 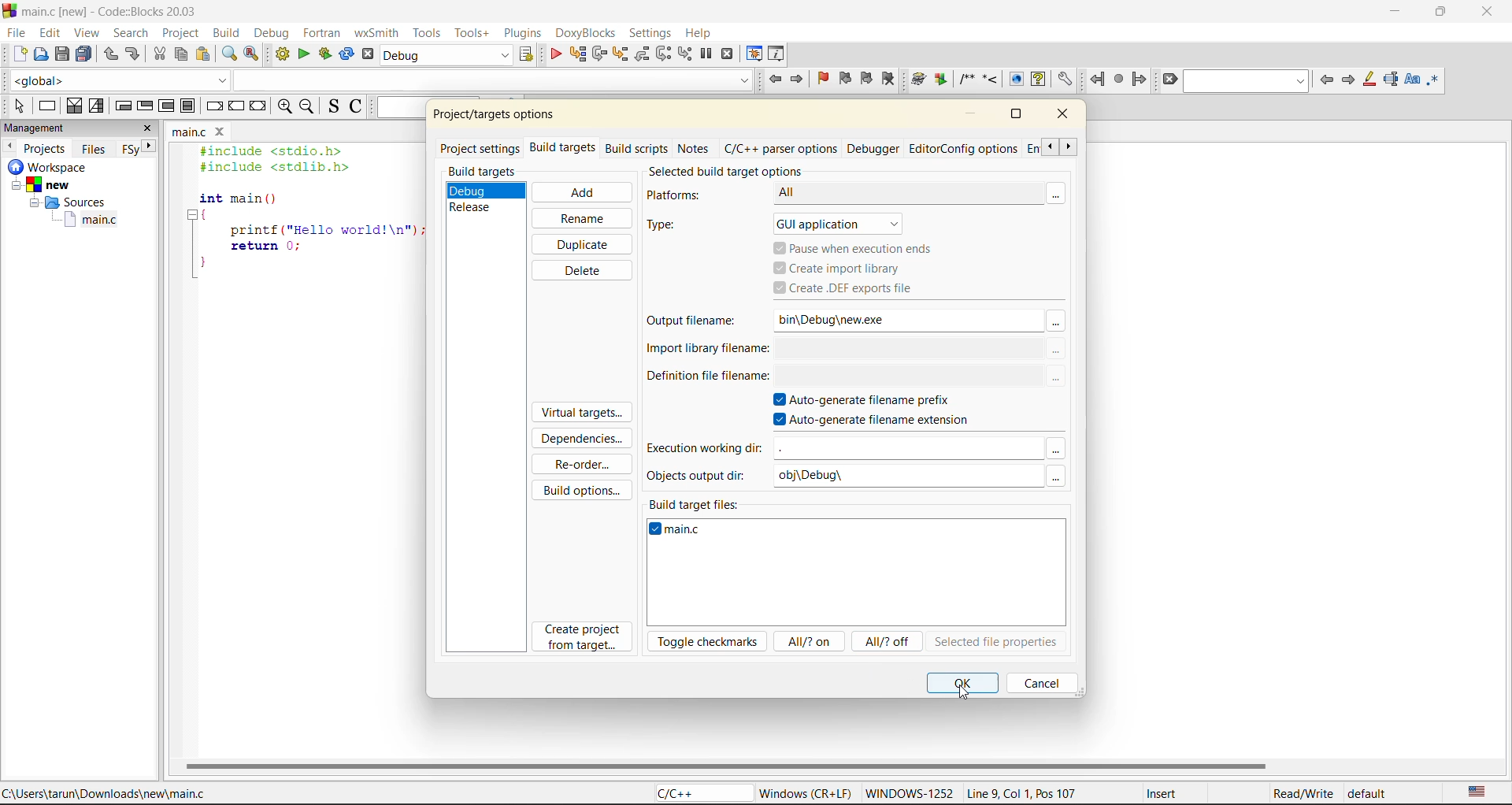 I want to click on rename, so click(x=581, y=218).